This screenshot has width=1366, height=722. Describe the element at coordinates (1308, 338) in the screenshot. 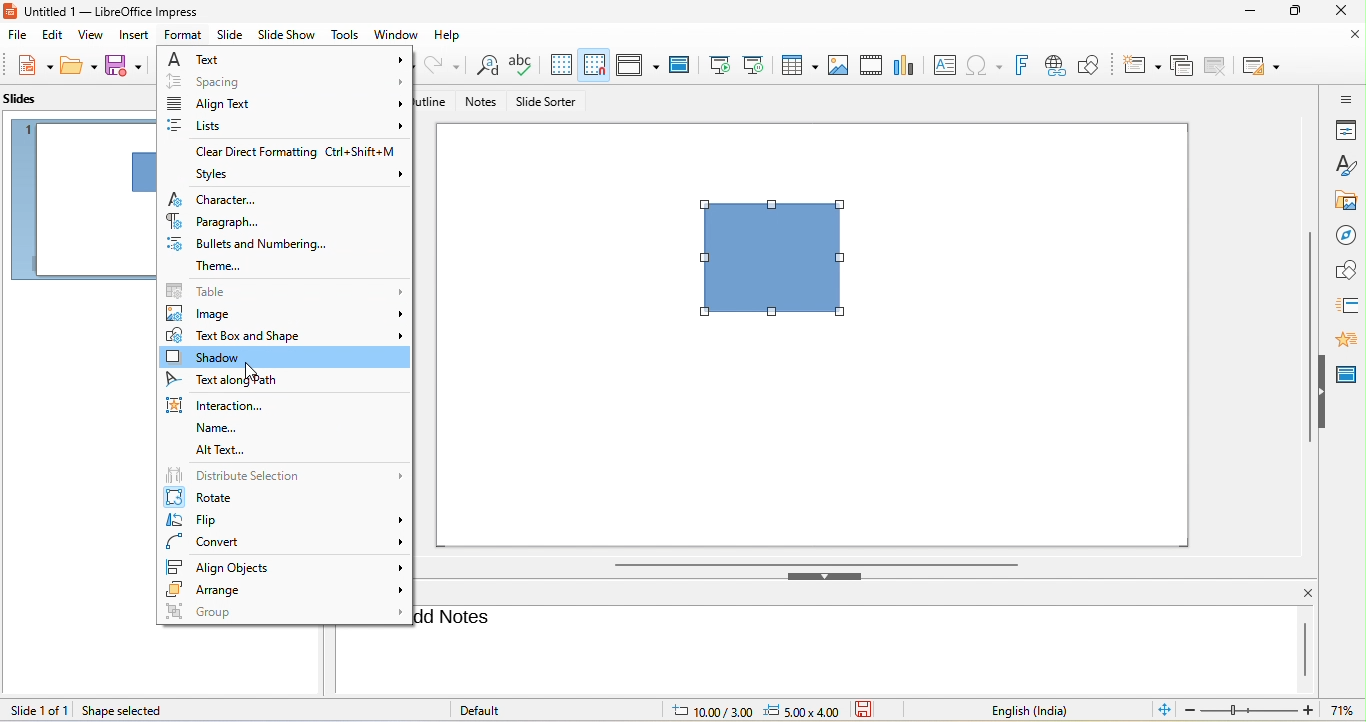

I see `vertical scroll bar` at that location.